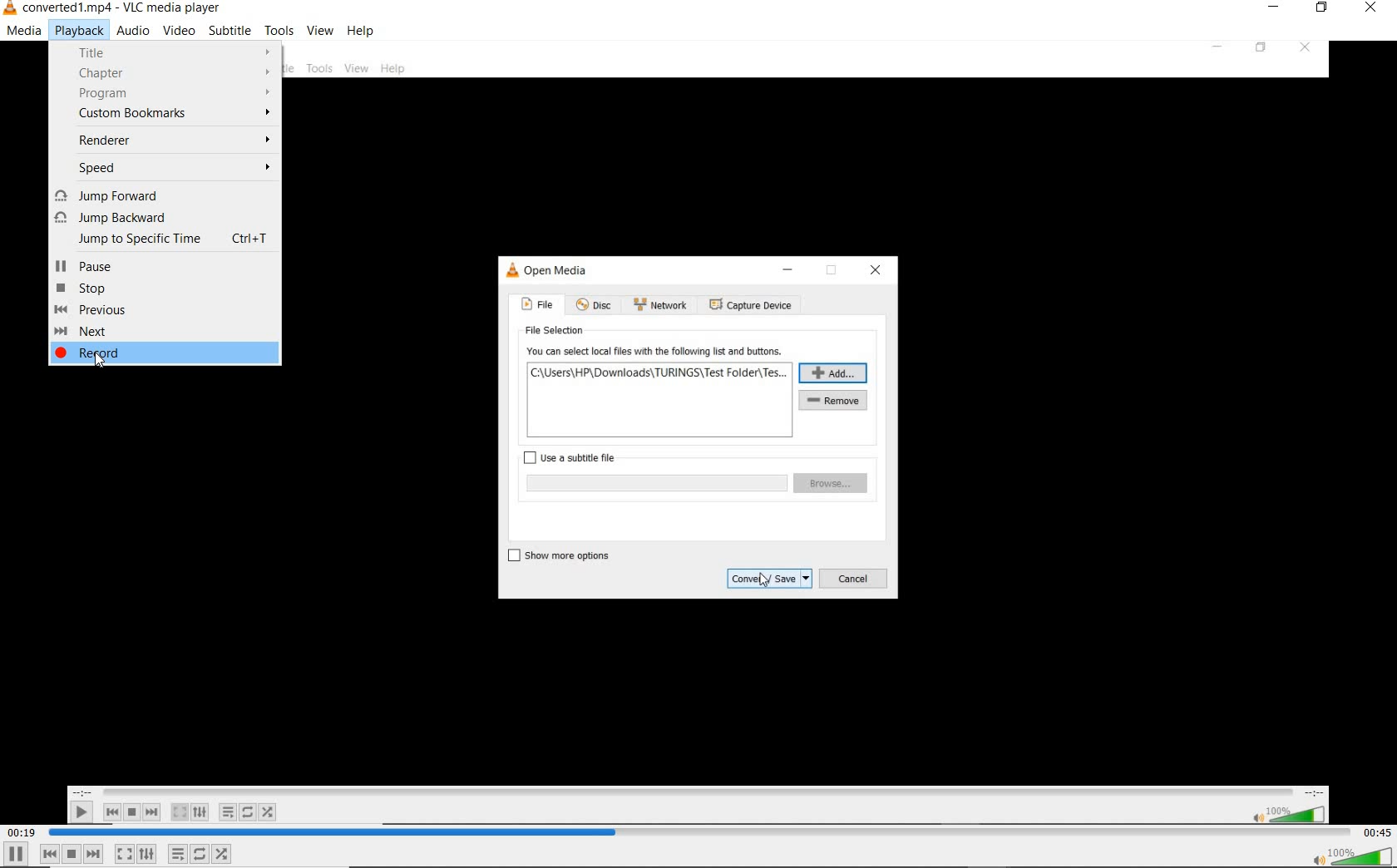  Describe the element at coordinates (200, 855) in the screenshot. I see `click to toggle between loop all` at that location.